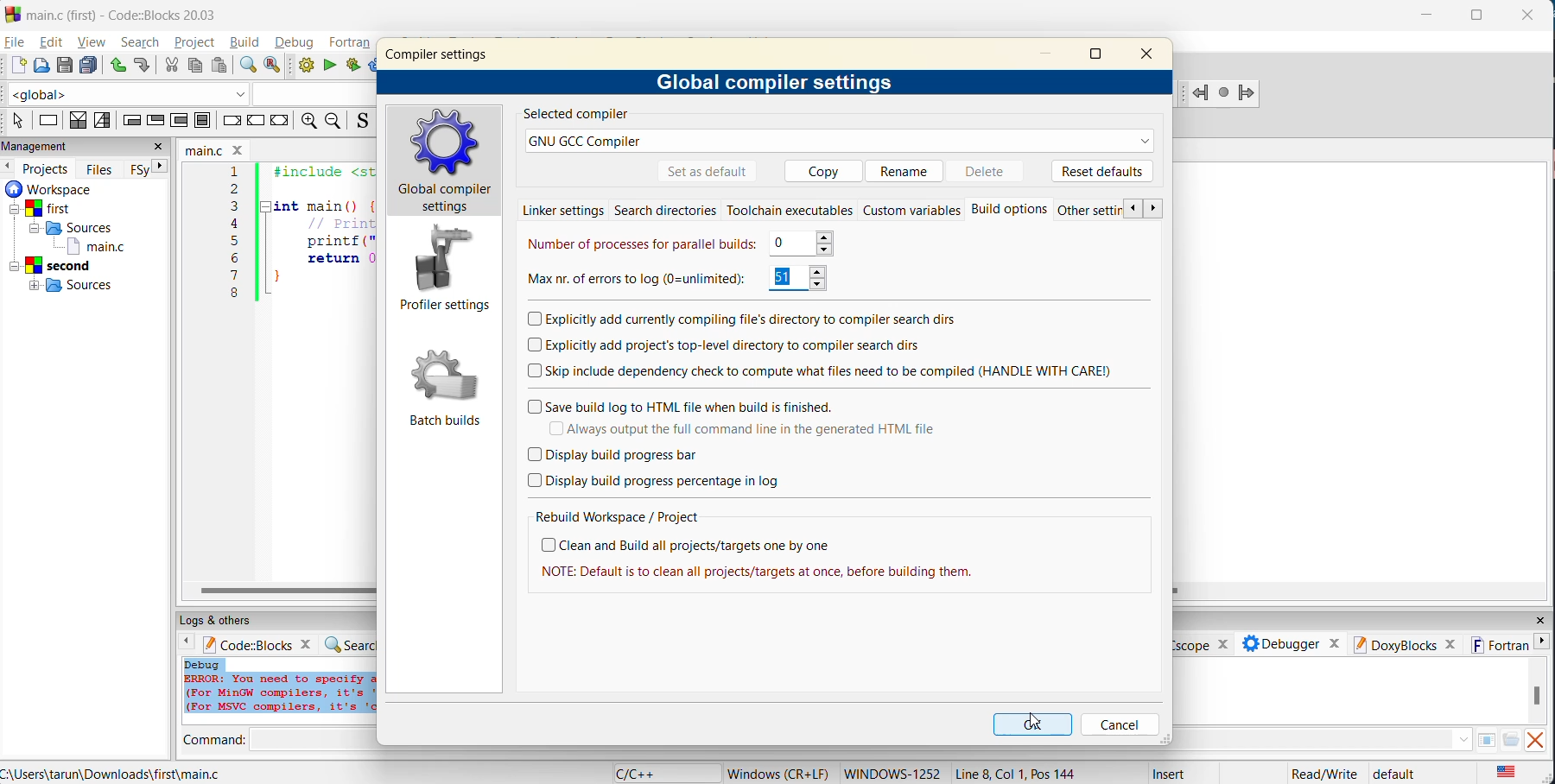 The image size is (1555, 784). What do you see at coordinates (76, 122) in the screenshot?
I see `decision` at bounding box center [76, 122].